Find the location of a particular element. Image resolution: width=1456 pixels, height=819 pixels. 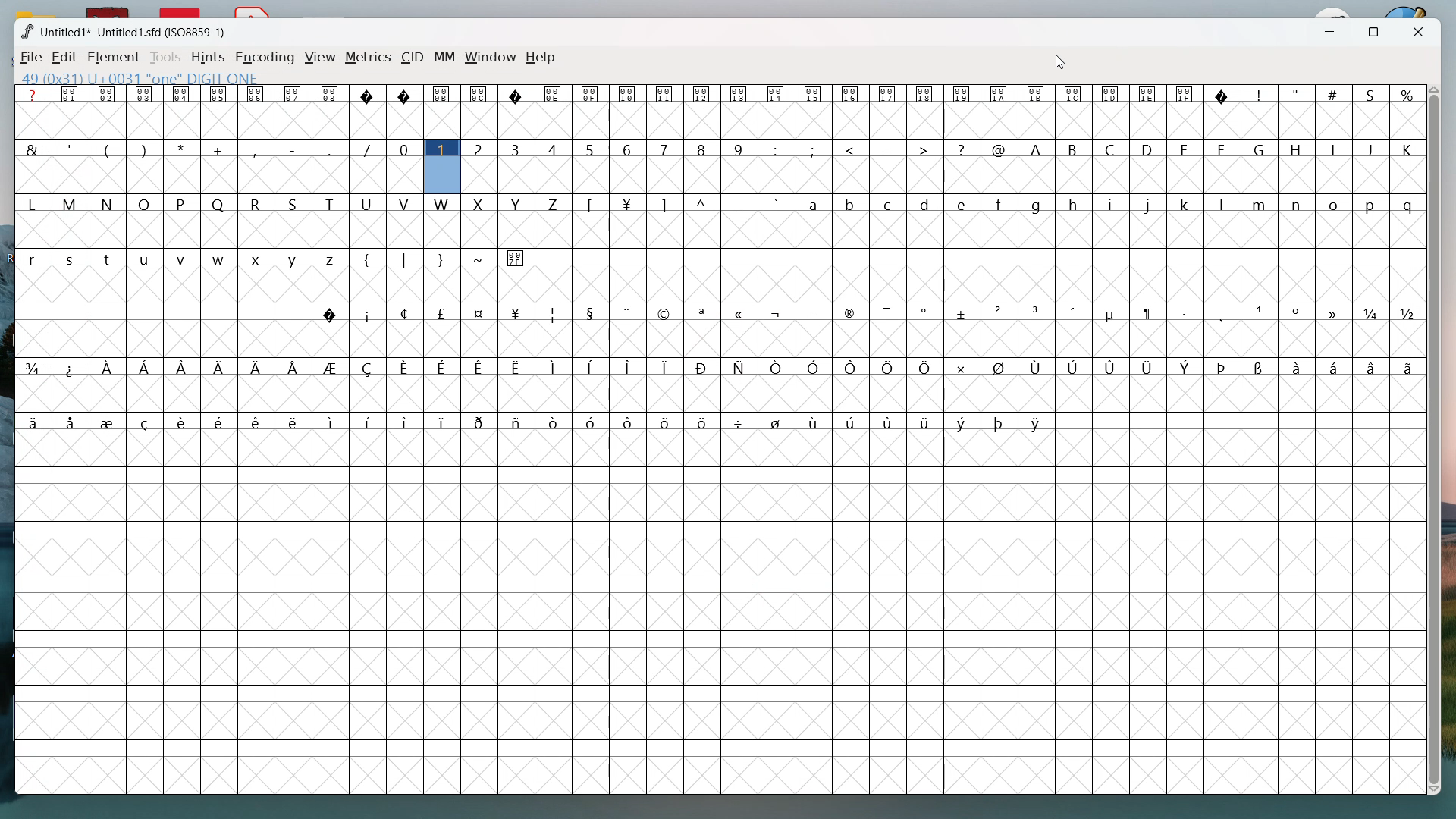

symbol is located at coordinates (1226, 366).